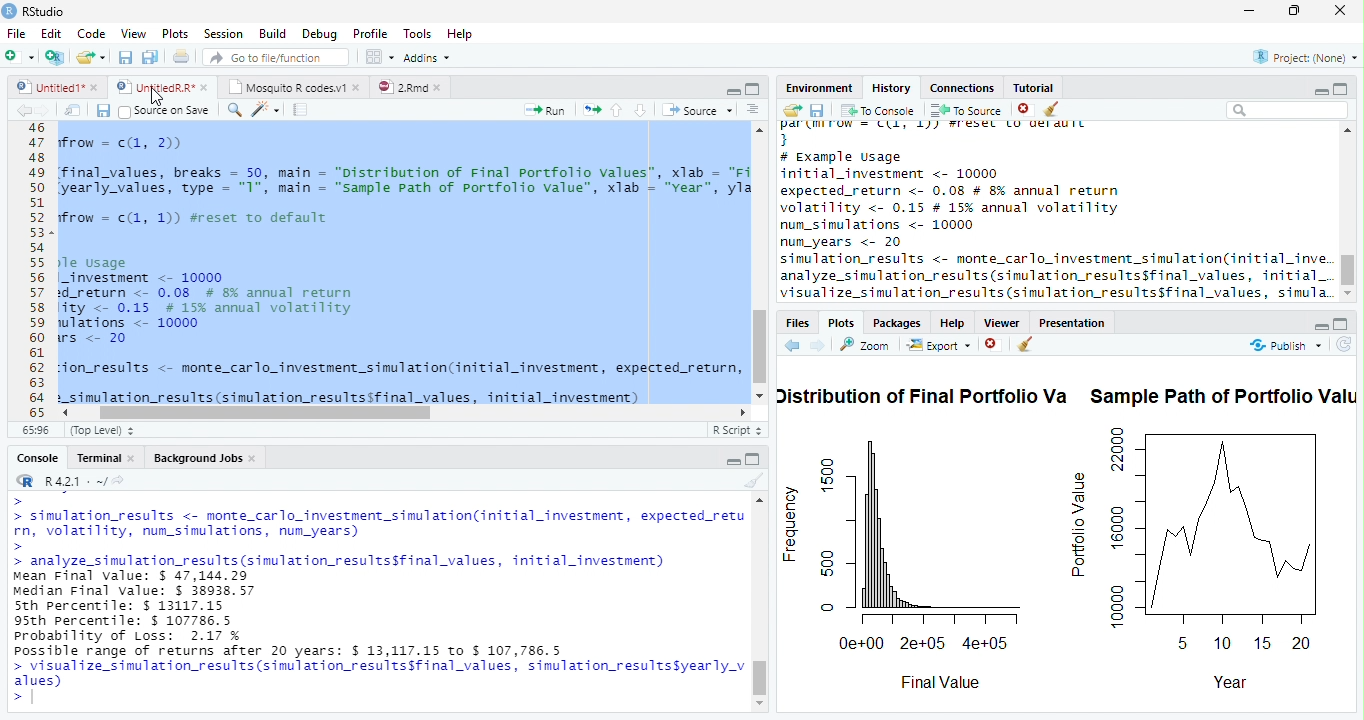 This screenshot has height=720, width=1364. I want to click on next source location, so click(44, 110).